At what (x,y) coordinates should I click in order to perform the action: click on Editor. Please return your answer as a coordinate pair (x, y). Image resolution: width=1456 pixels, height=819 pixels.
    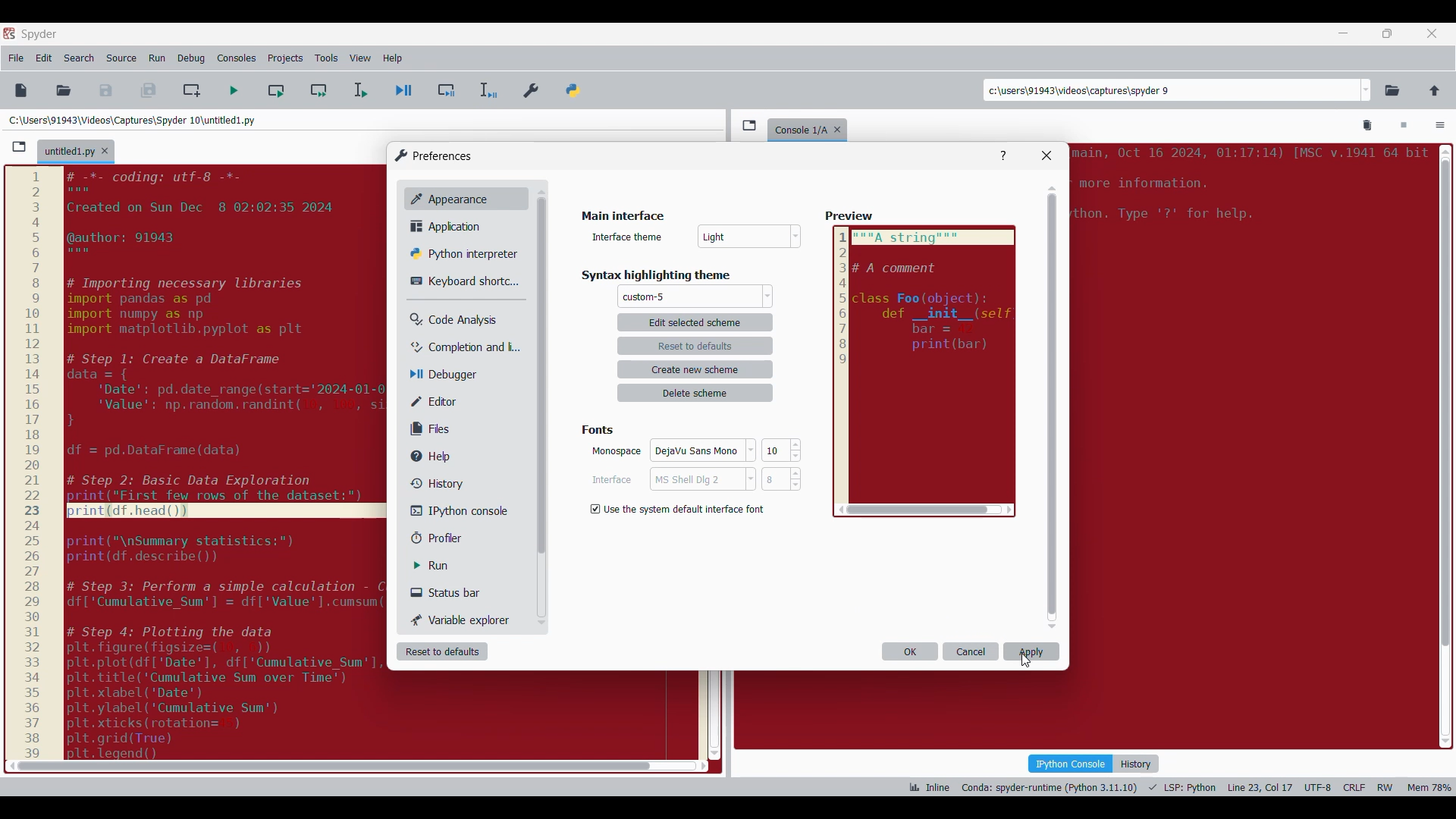
    Looking at the image, I should click on (444, 401).